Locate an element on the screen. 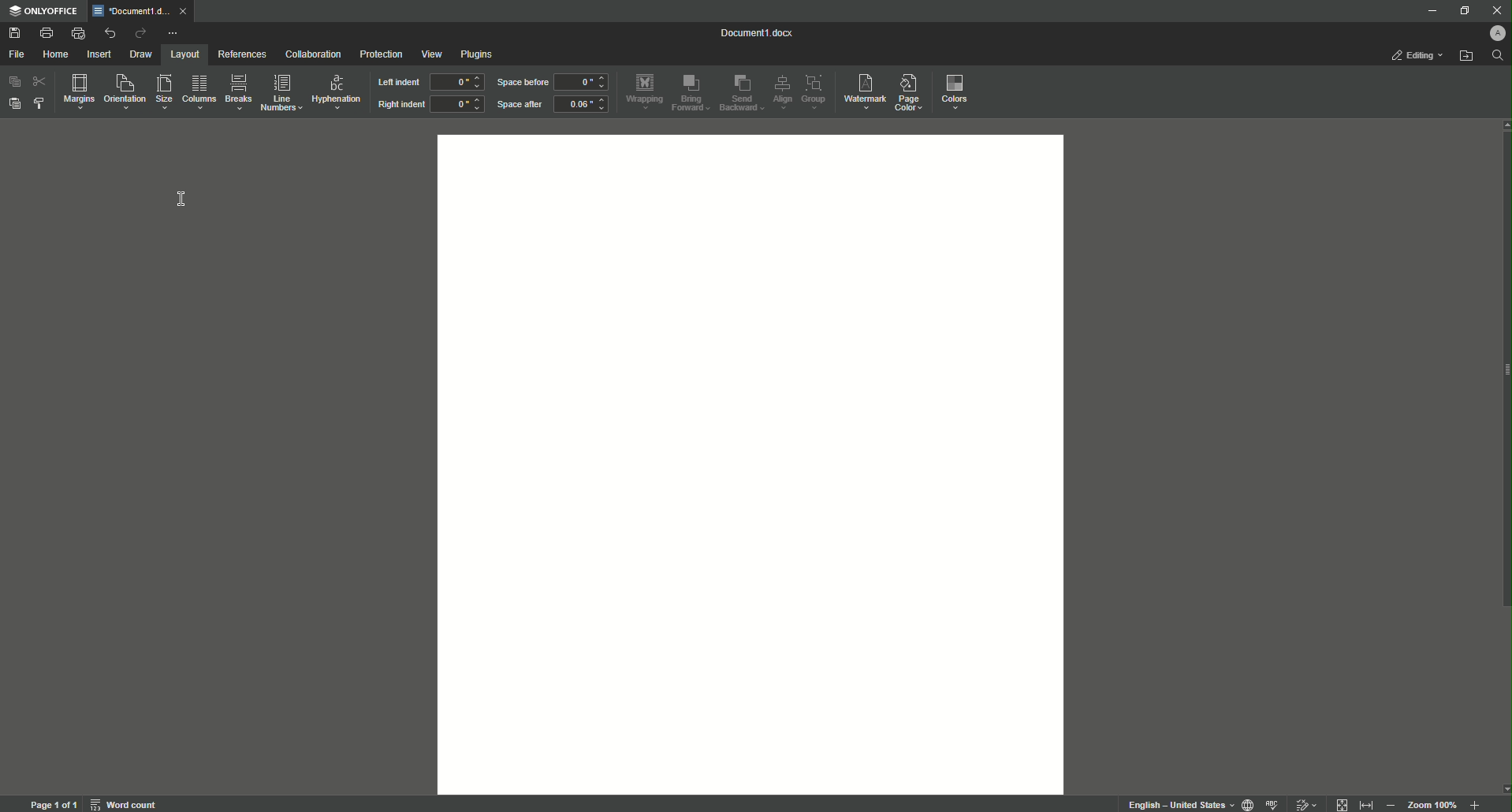 This screenshot has width=1512, height=812. Layout is located at coordinates (181, 54).